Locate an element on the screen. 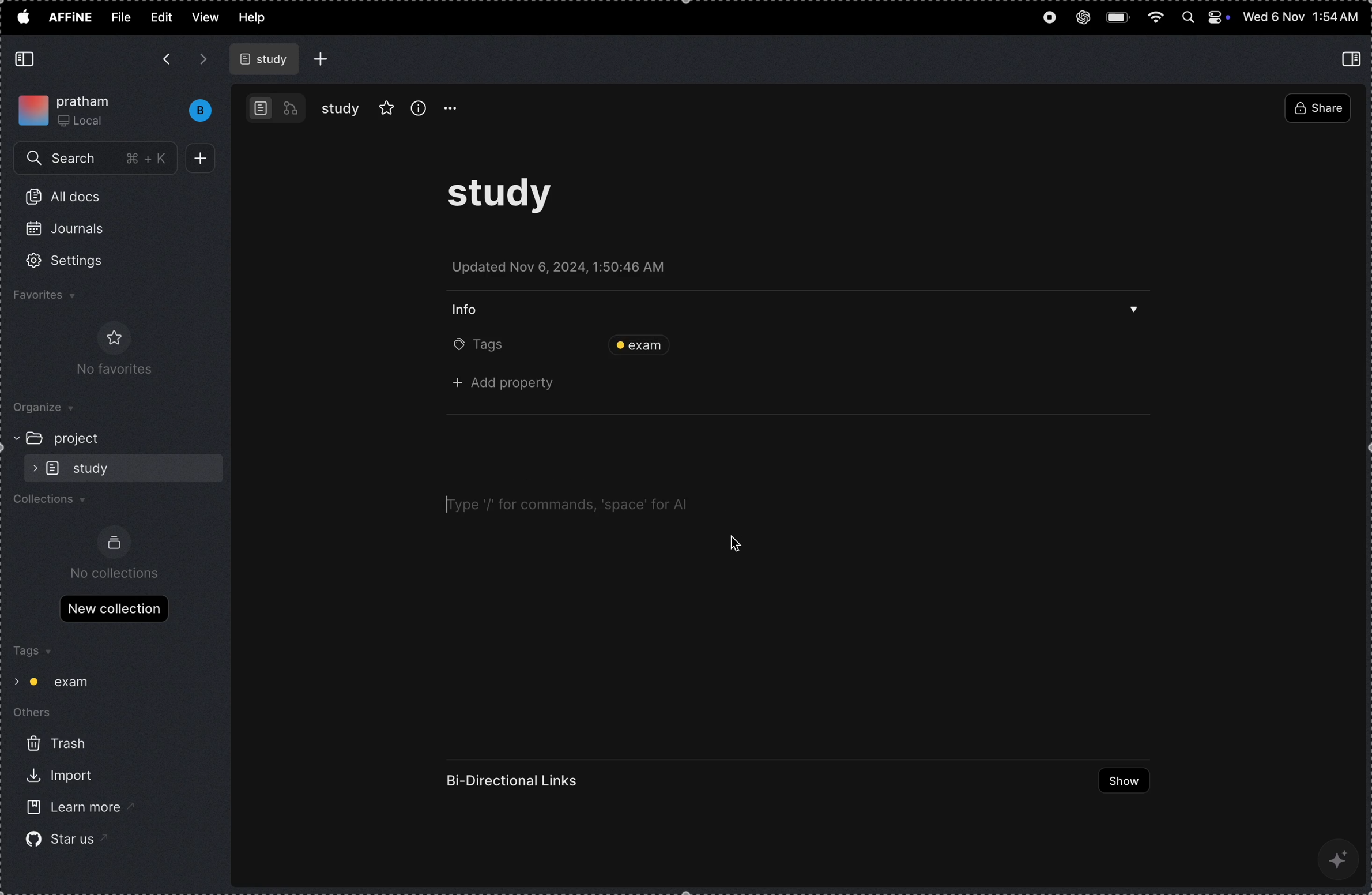 Image resolution: width=1372 pixels, height=895 pixels. trash is located at coordinates (55, 744).